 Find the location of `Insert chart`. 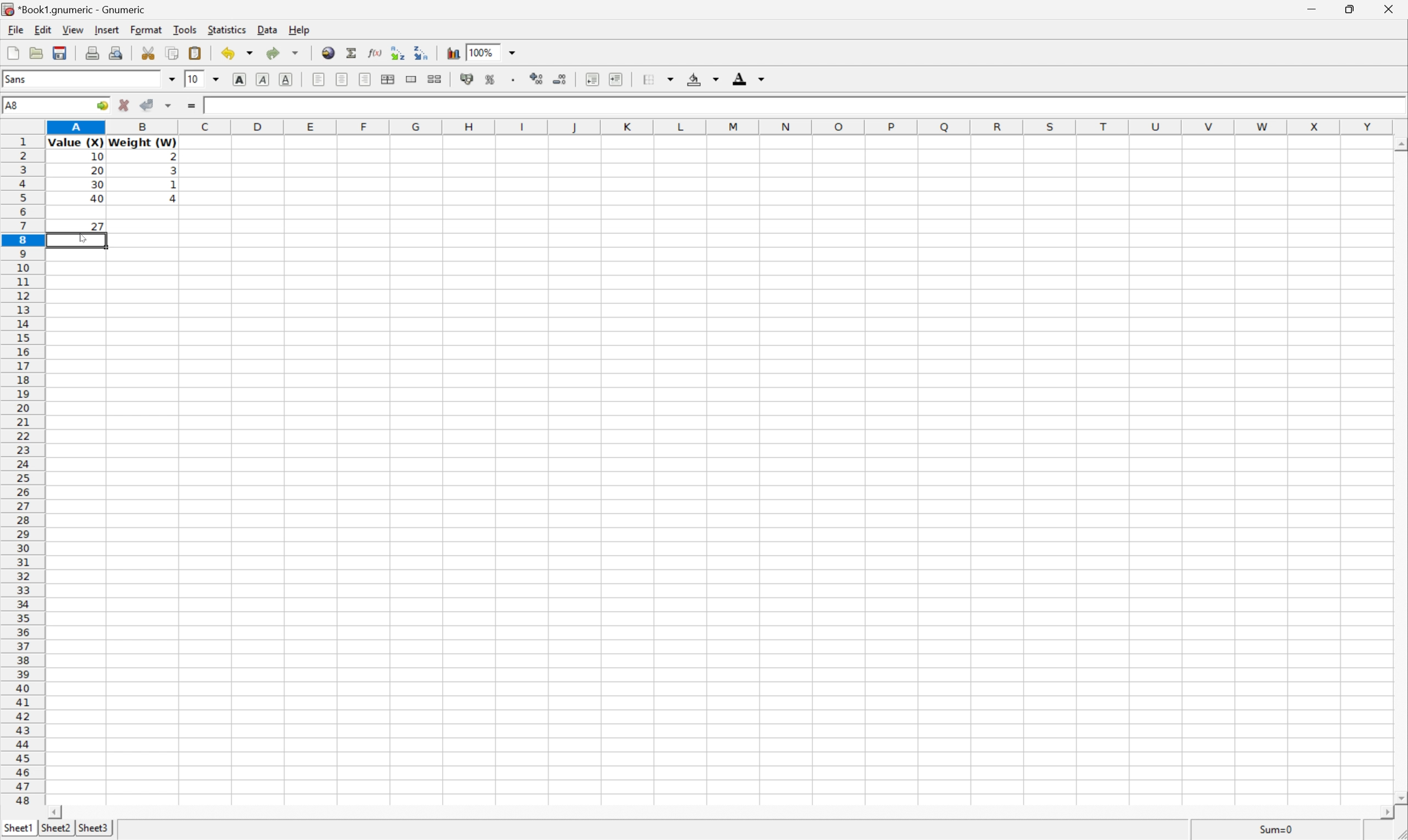

Insert chart is located at coordinates (453, 53).